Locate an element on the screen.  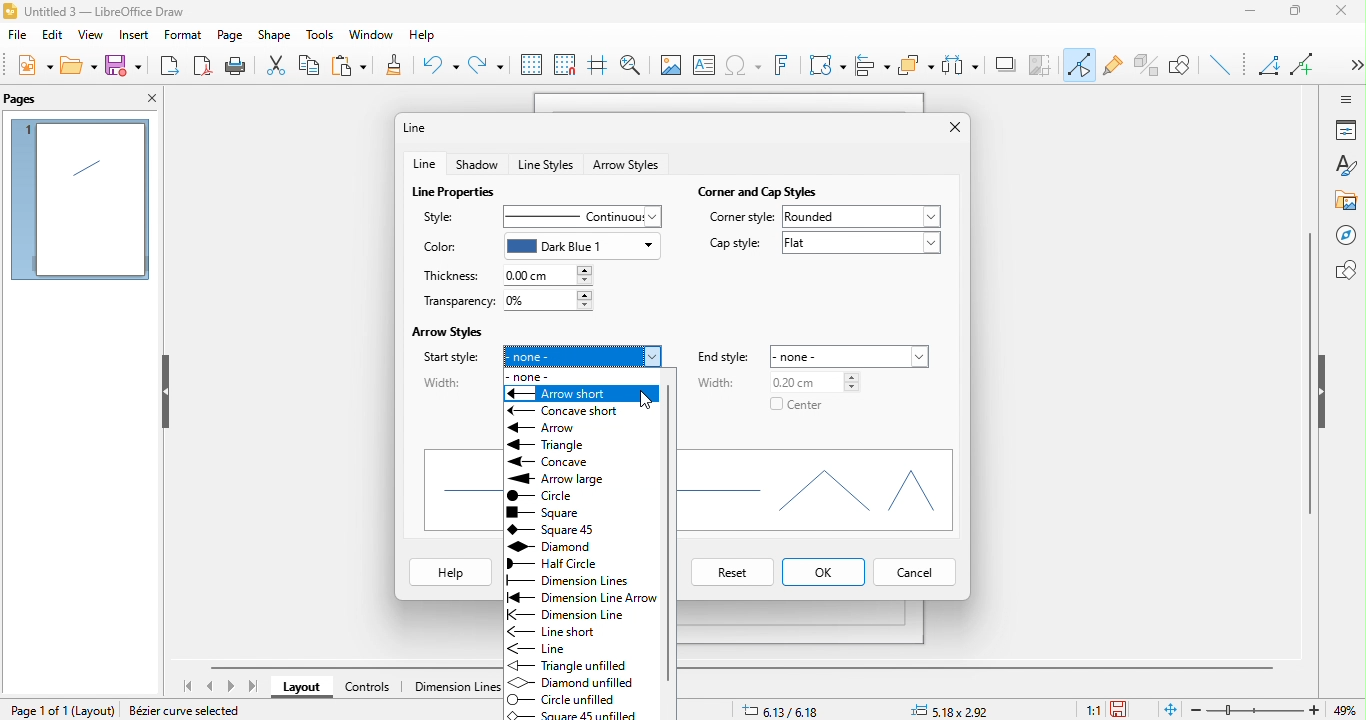
page 1 is located at coordinates (80, 200).